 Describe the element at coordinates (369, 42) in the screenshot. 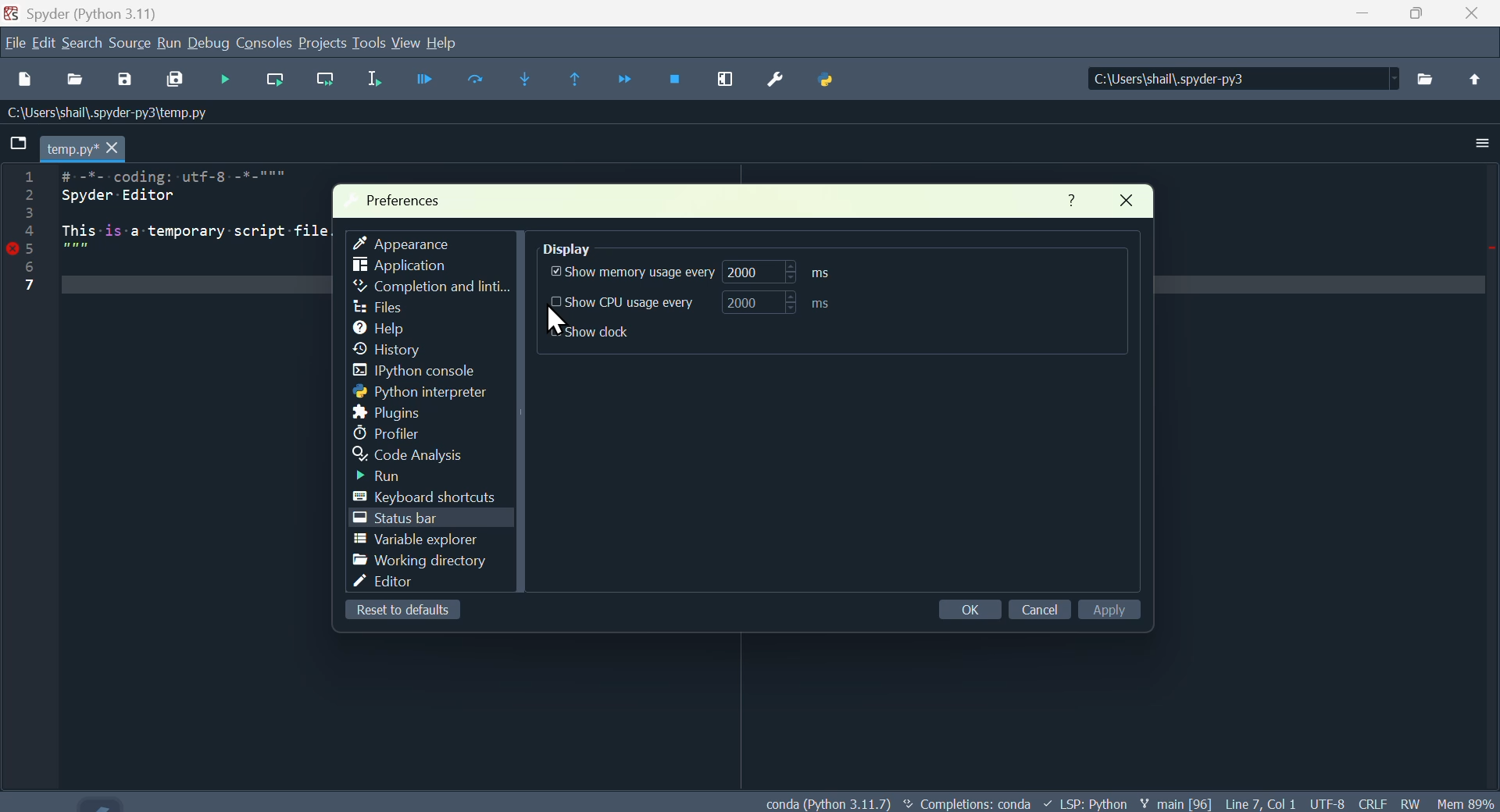

I see `Tools` at that location.